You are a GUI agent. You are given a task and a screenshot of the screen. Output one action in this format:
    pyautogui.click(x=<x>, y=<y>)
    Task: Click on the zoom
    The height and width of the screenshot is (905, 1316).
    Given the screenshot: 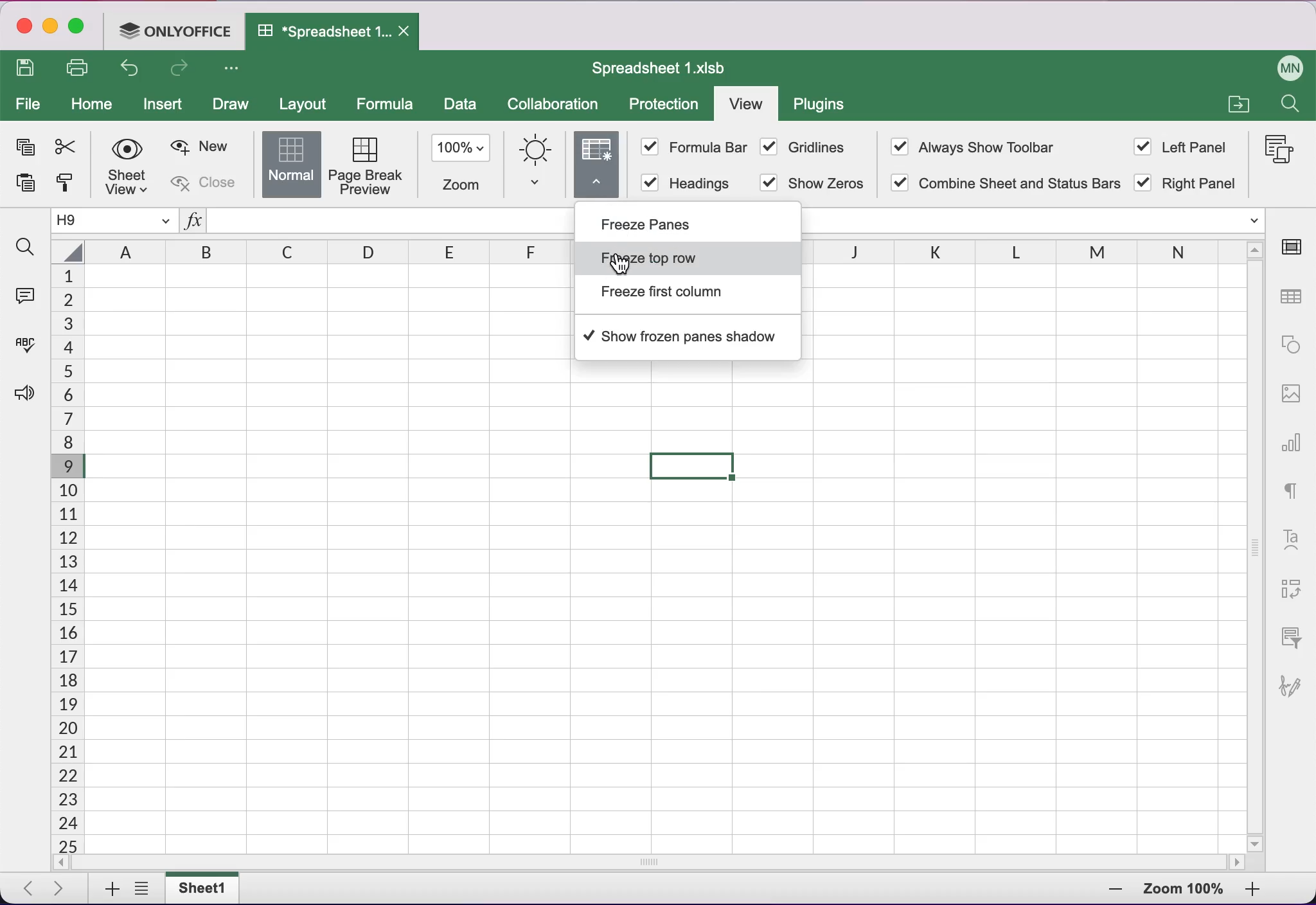 What is the action you would take?
    pyautogui.click(x=1183, y=889)
    